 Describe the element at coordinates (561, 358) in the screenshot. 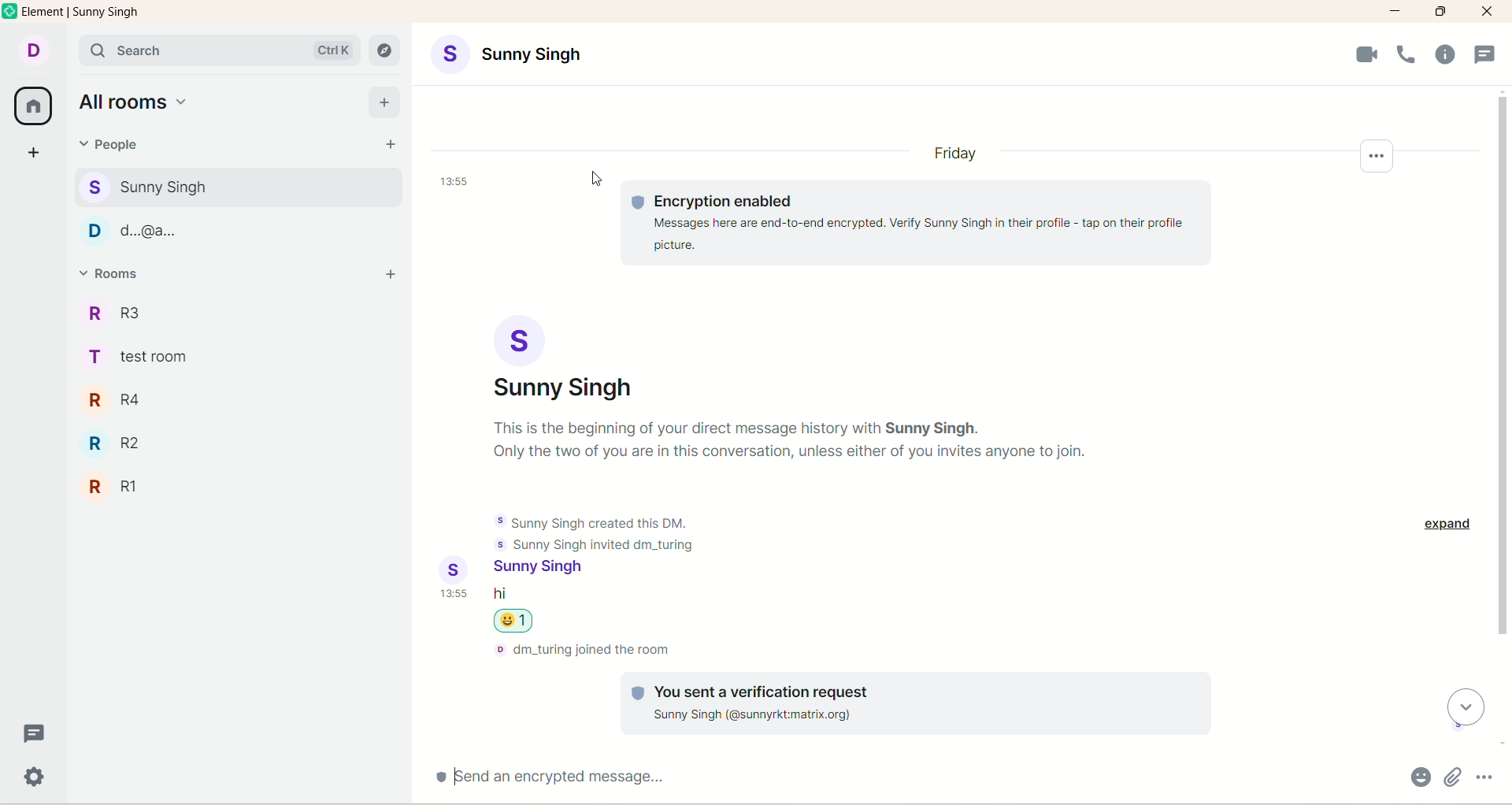

I see `account` at that location.